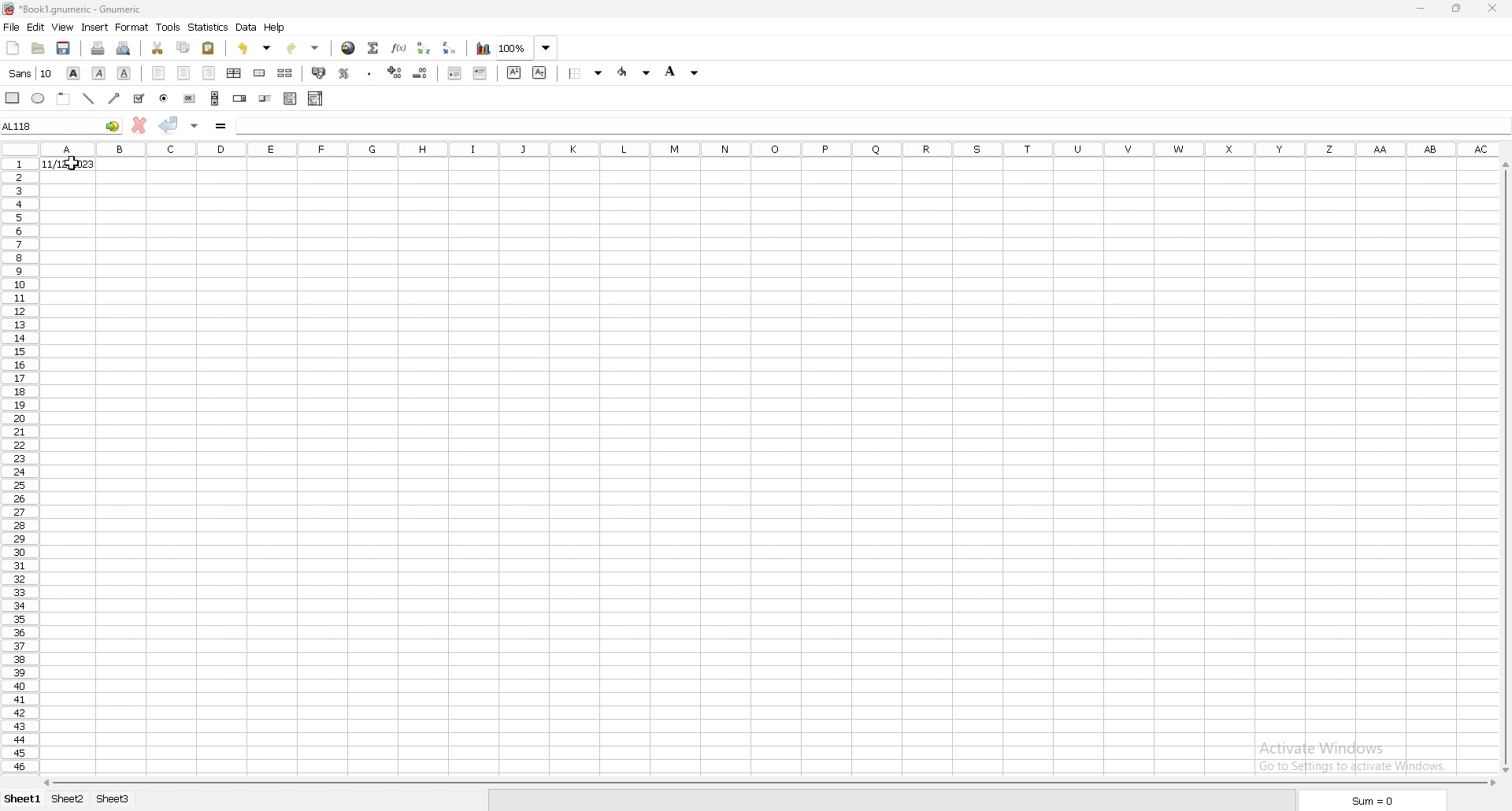 This screenshot has height=811, width=1512. I want to click on merge cells, so click(259, 74).